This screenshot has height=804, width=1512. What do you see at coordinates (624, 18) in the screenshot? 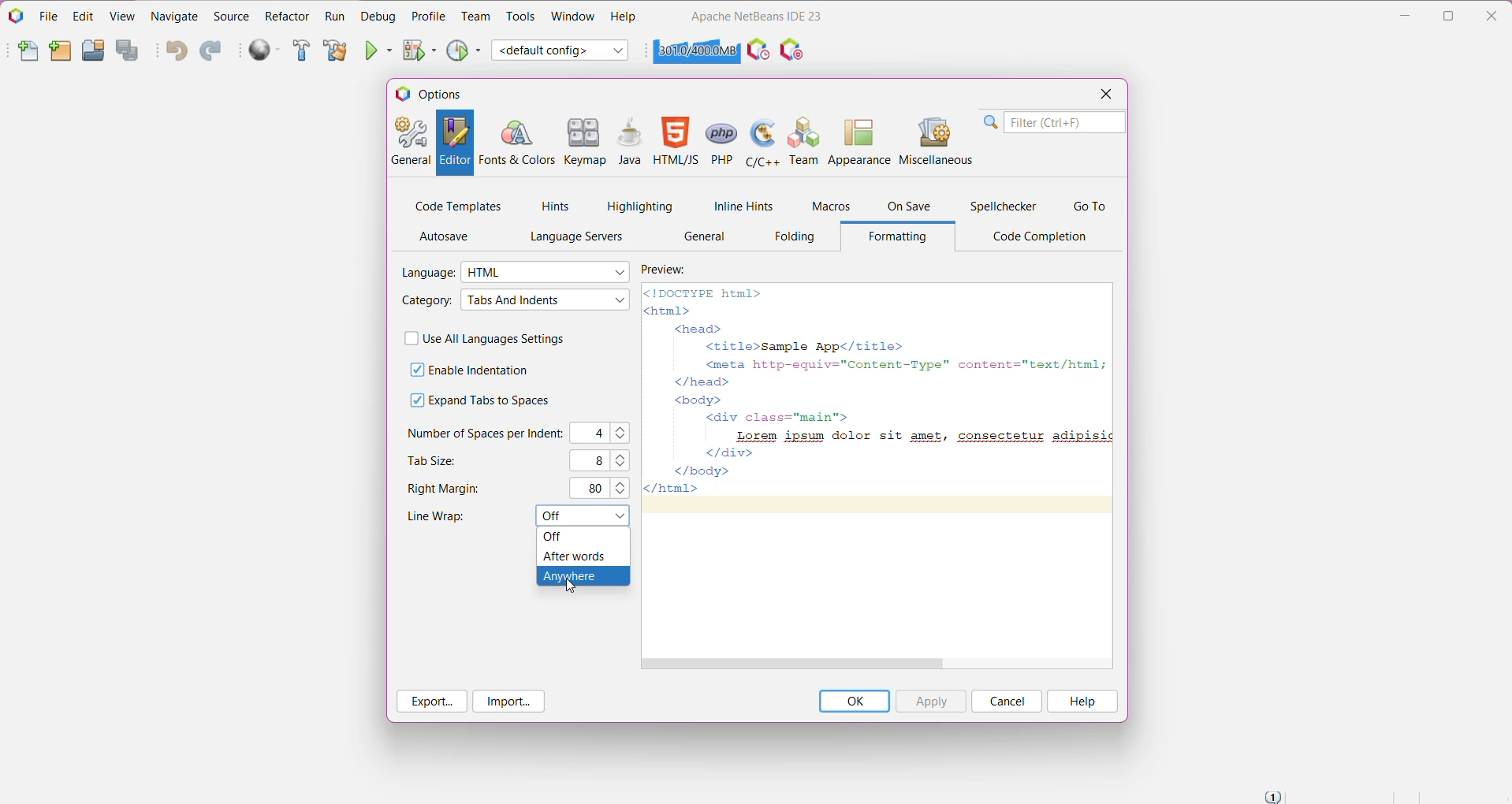
I see `Help` at bounding box center [624, 18].